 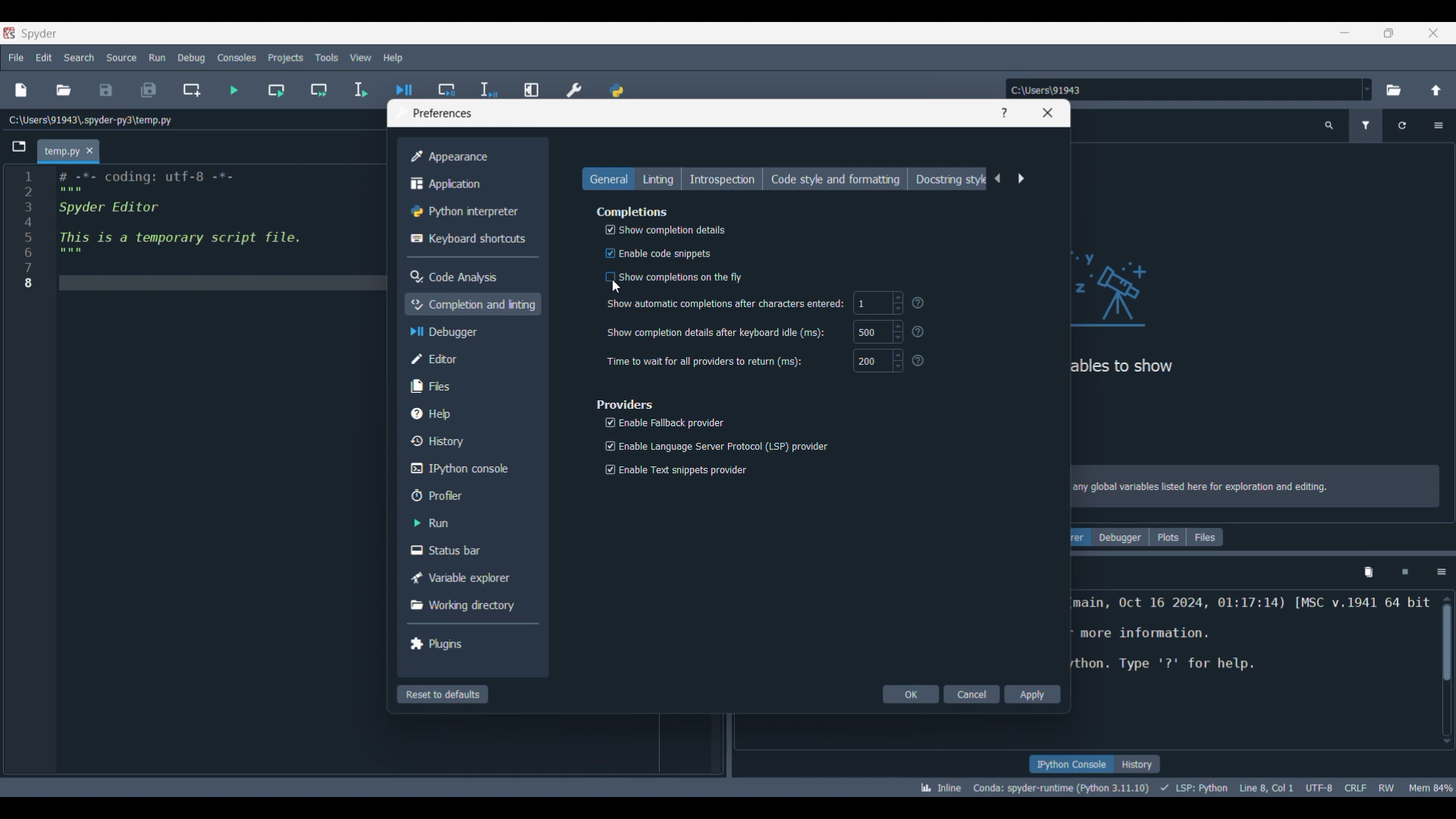 I want to click on Debugger, so click(x=1120, y=537).